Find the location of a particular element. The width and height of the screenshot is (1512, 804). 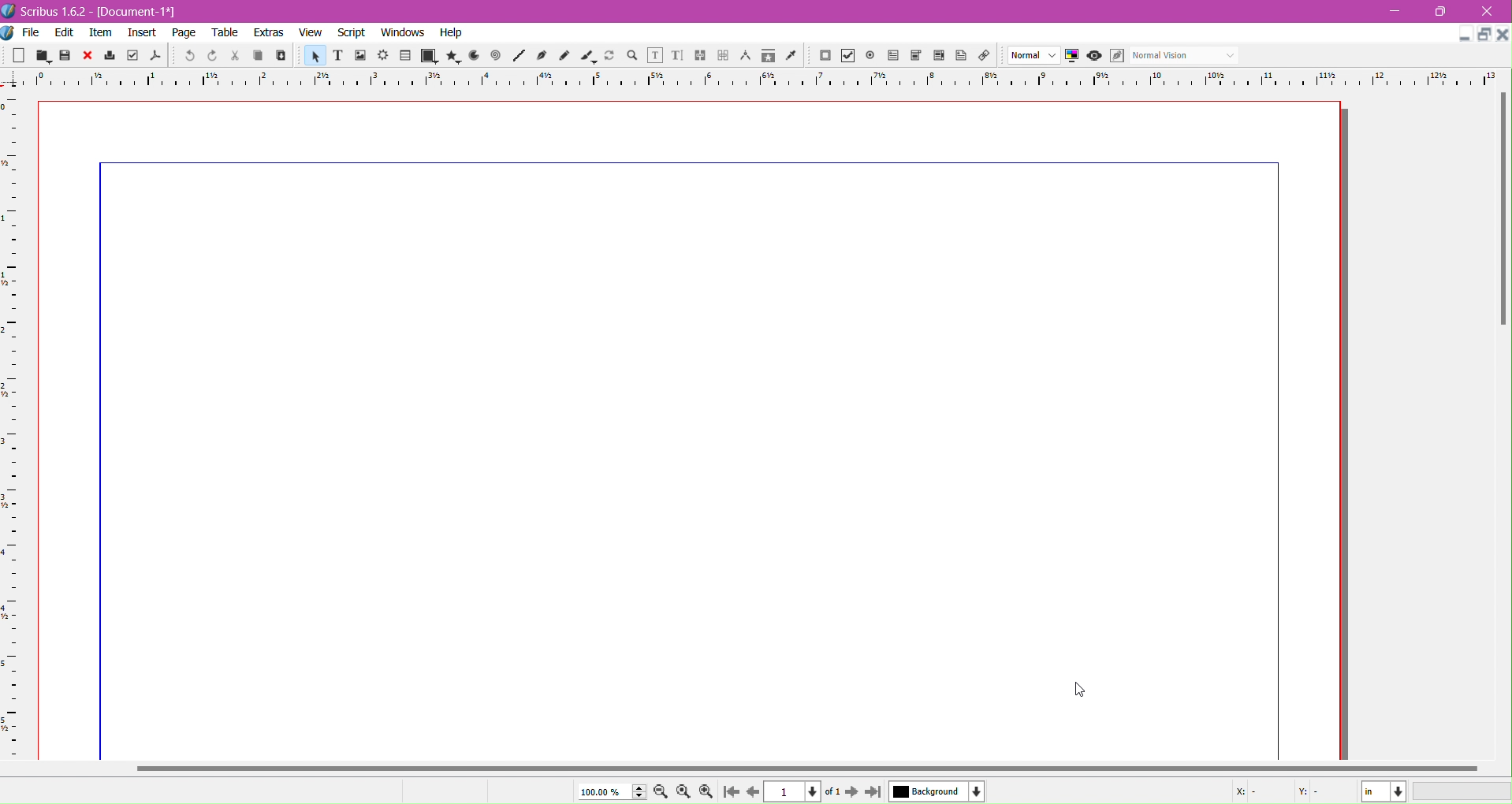

edit menu is located at coordinates (65, 33).